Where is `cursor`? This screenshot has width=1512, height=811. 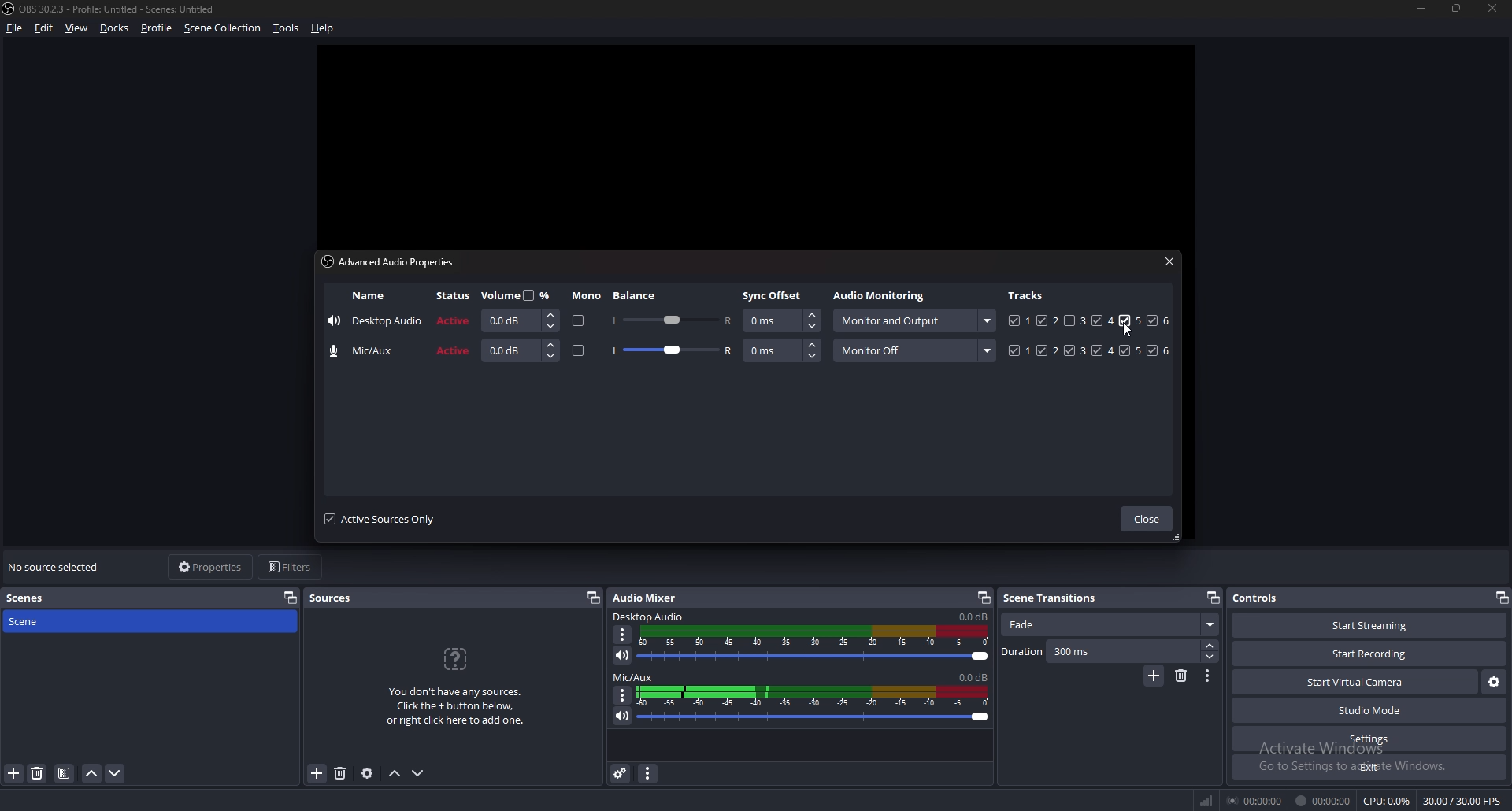 cursor is located at coordinates (1134, 331).